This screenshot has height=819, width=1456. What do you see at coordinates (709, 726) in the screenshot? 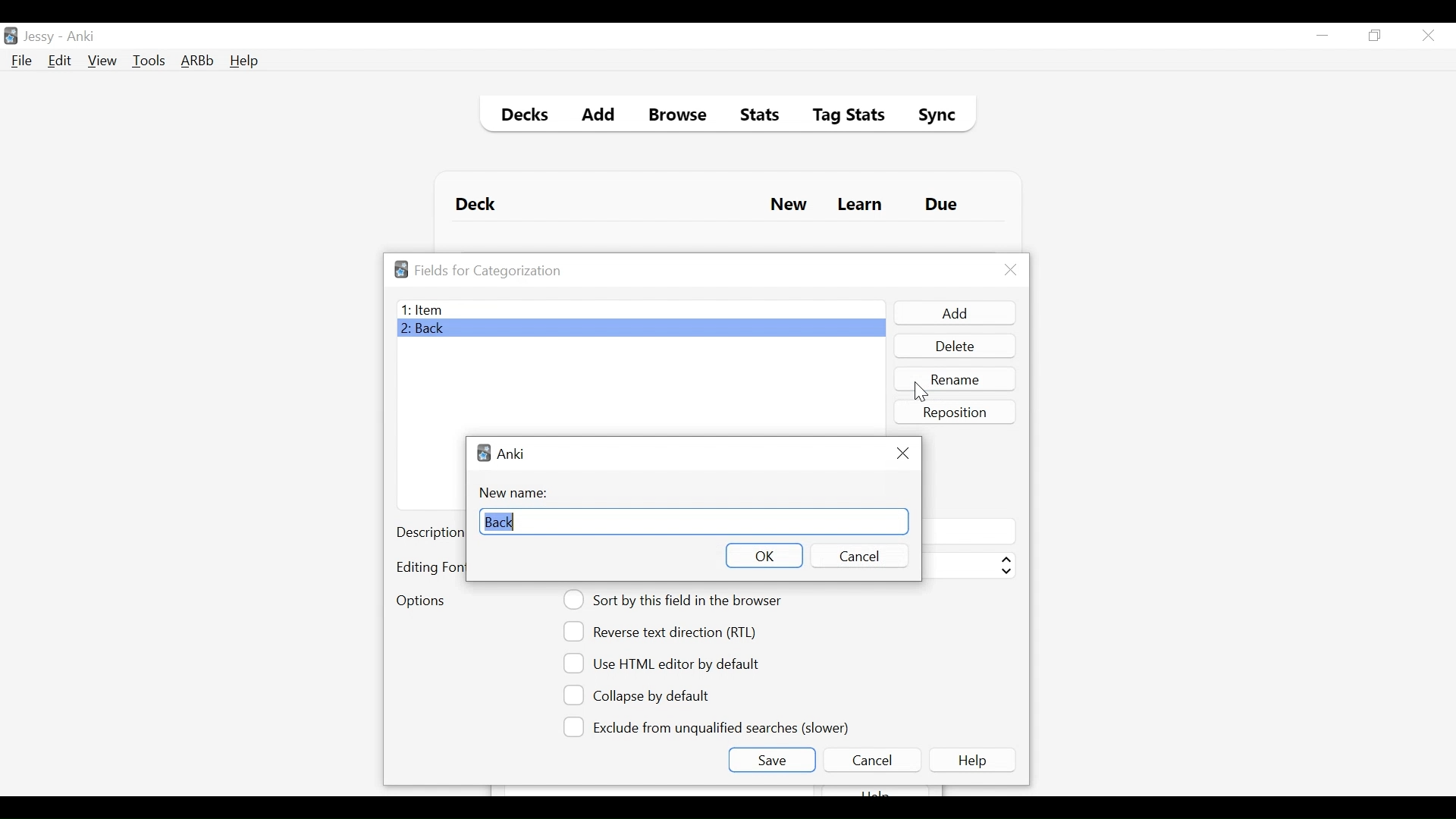
I see `(un)select Exclude from unqualified searches` at bounding box center [709, 726].